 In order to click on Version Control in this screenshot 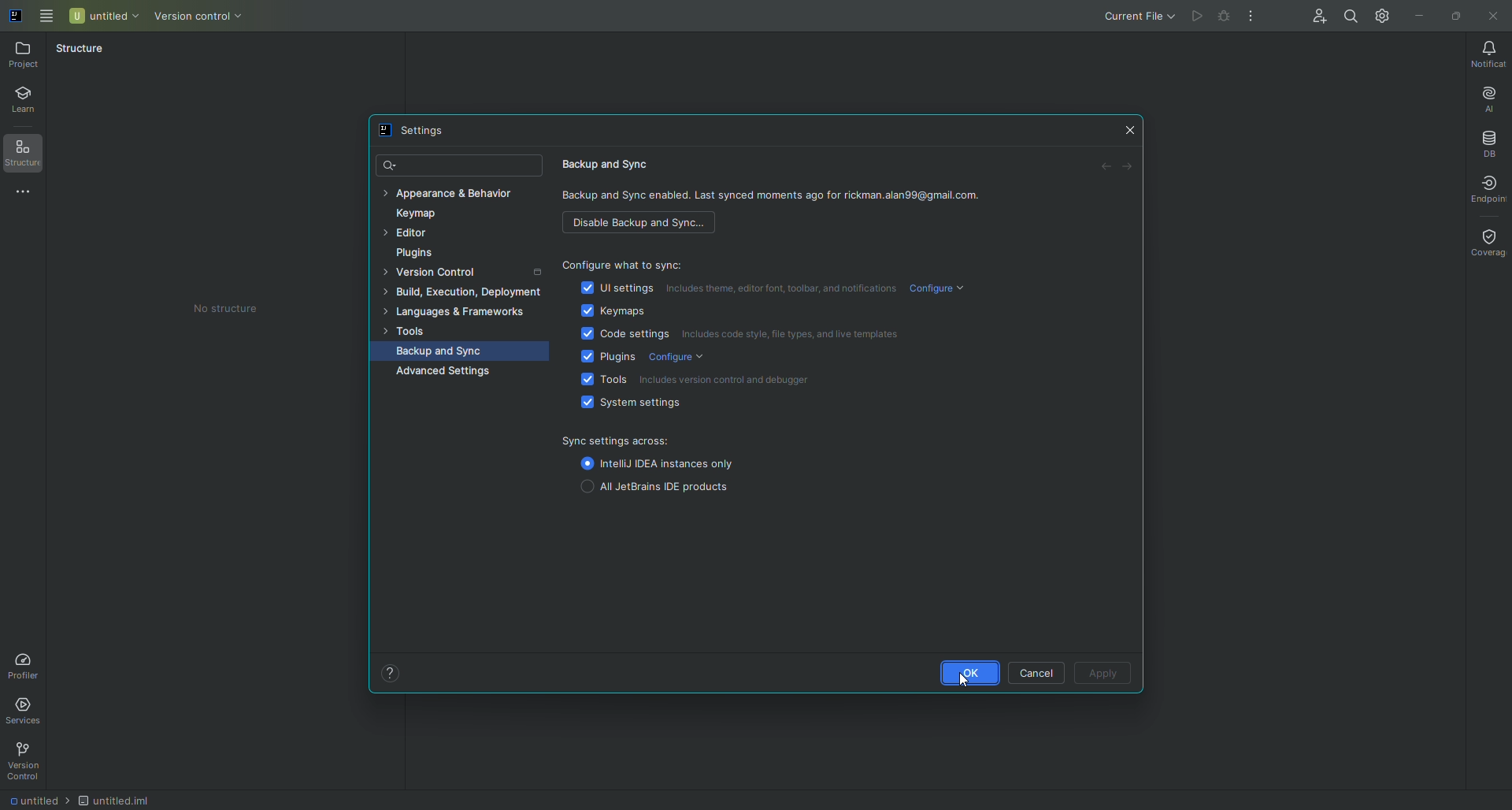, I will do `click(28, 761)`.